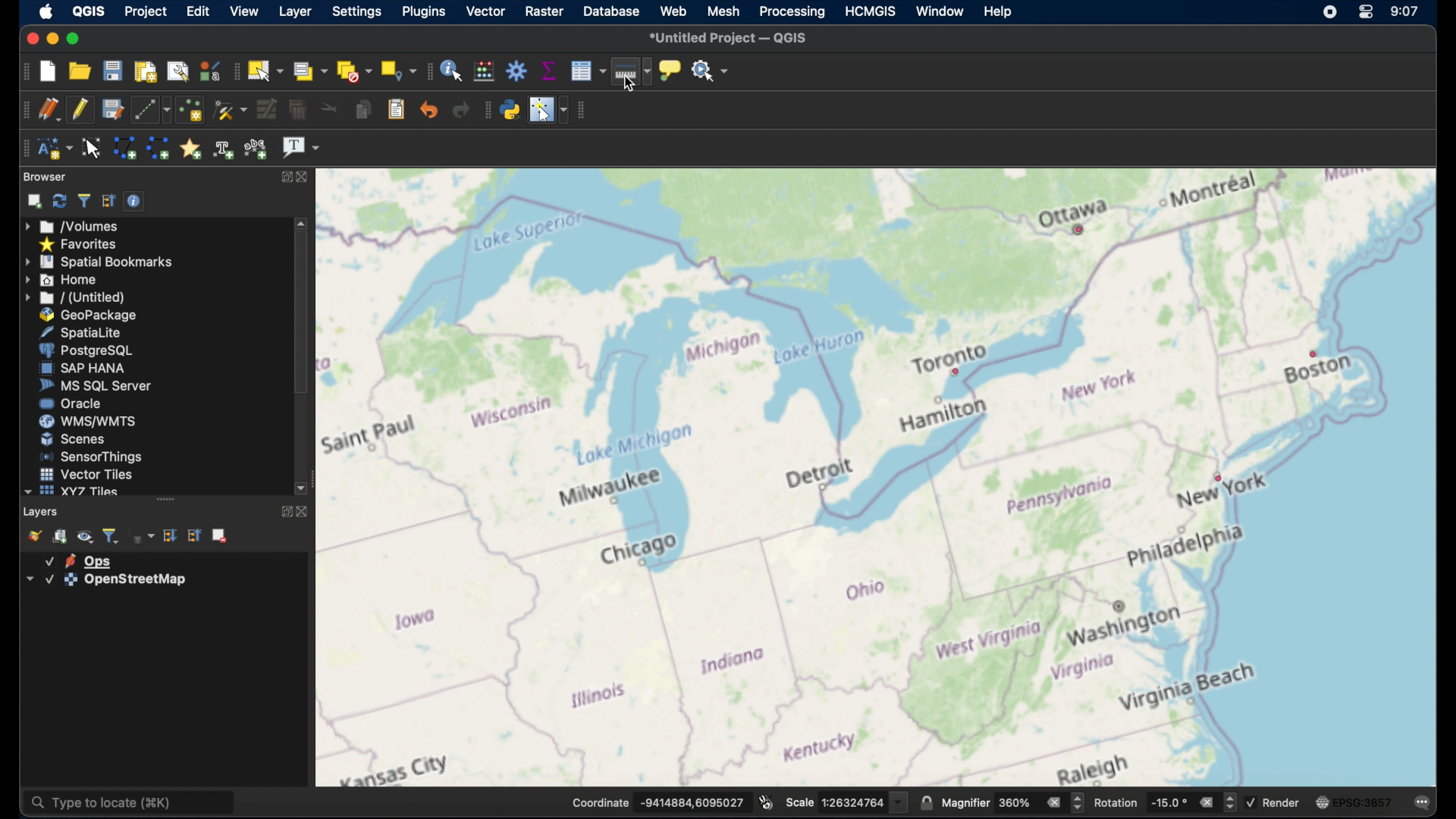 The height and width of the screenshot is (819, 1456). Describe the element at coordinates (1276, 802) in the screenshot. I see `render` at that location.